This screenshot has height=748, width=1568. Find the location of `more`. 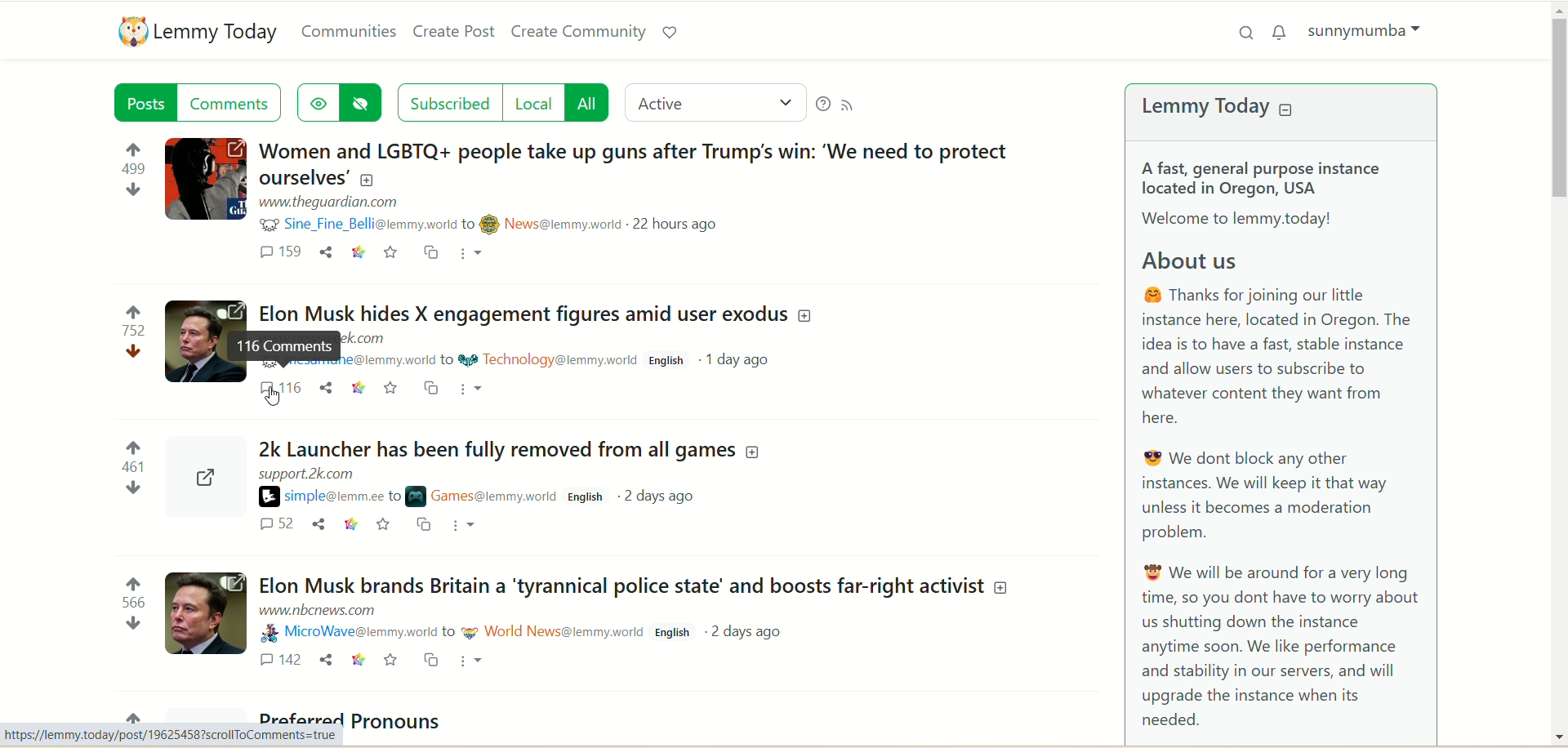

more is located at coordinates (469, 389).